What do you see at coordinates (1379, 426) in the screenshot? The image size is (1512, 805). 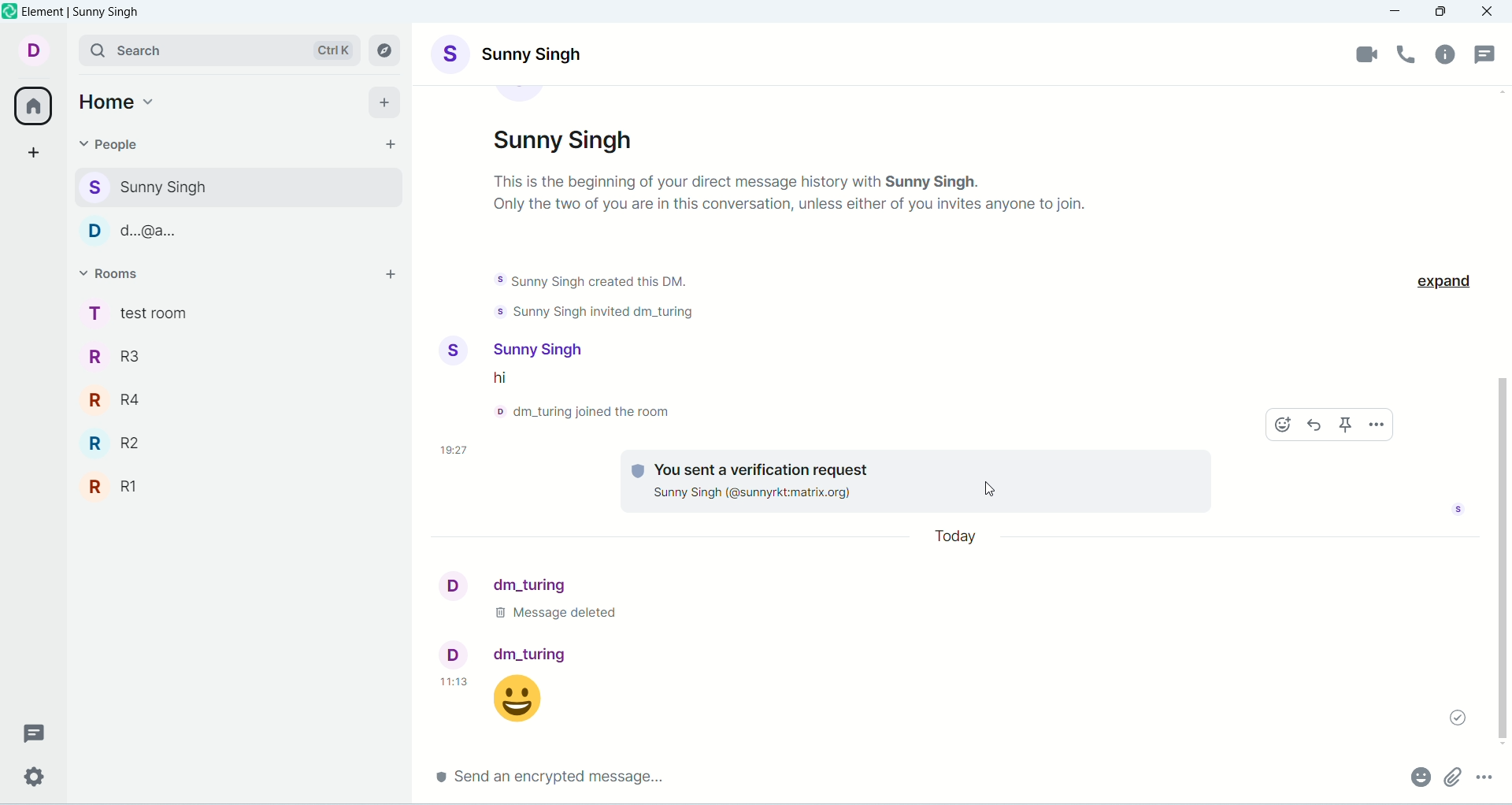 I see `options` at bounding box center [1379, 426].